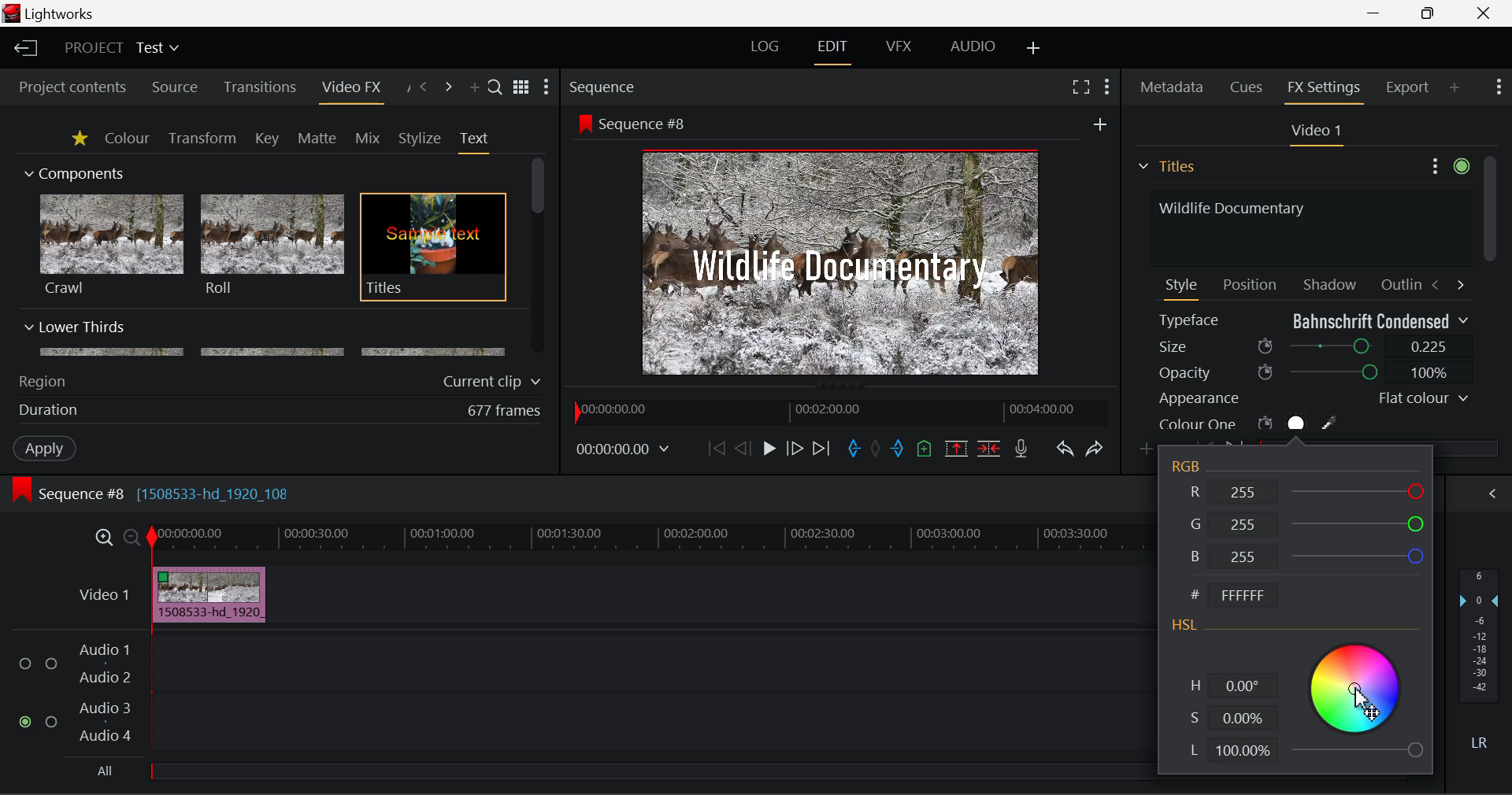  What do you see at coordinates (1166, 166) in the screenshot?
I see `Titles Section` at bounding box center [1166, 166].